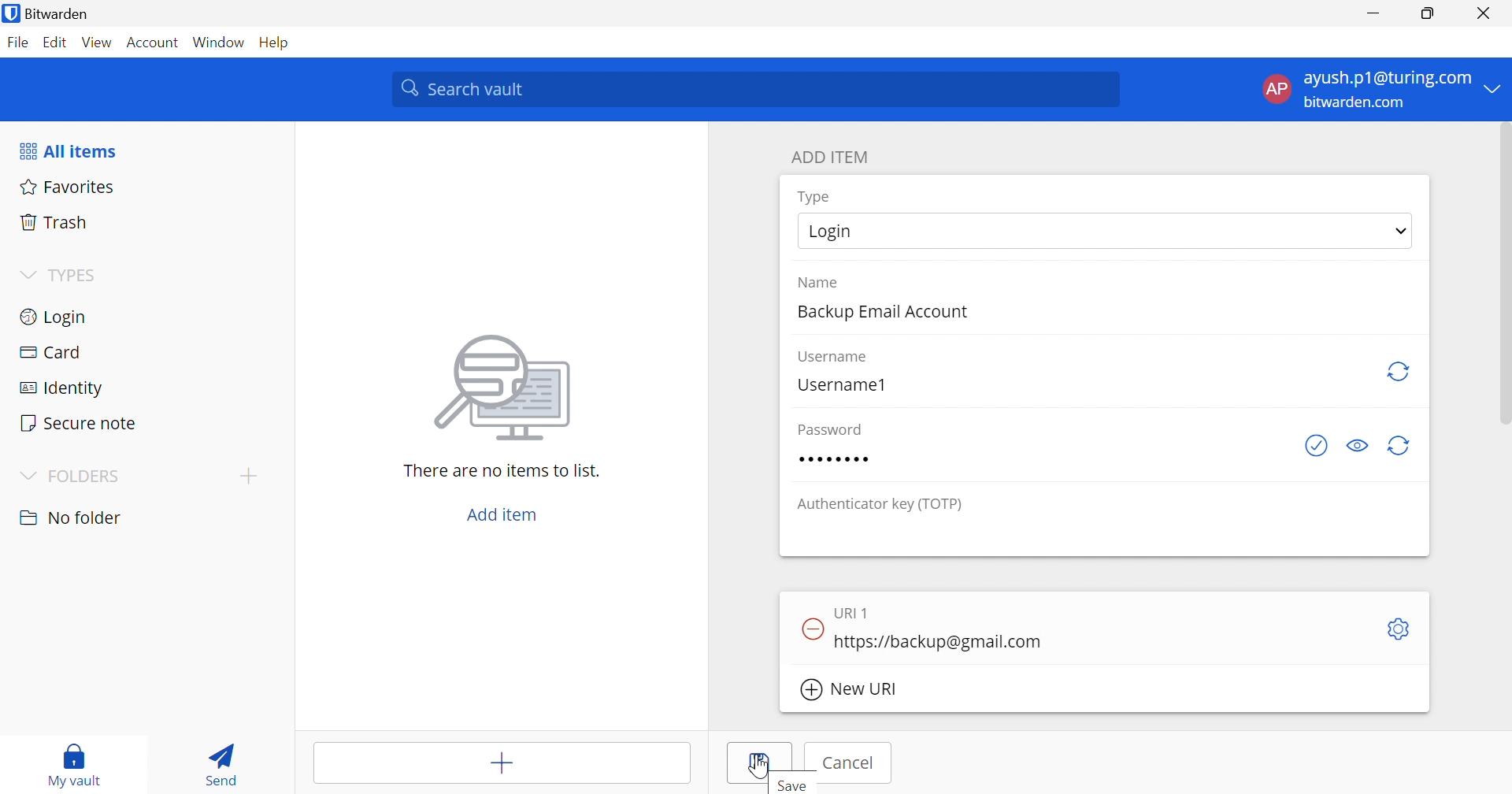 The image size is (1512, 794). I want to click on Window, so click(218, 40).